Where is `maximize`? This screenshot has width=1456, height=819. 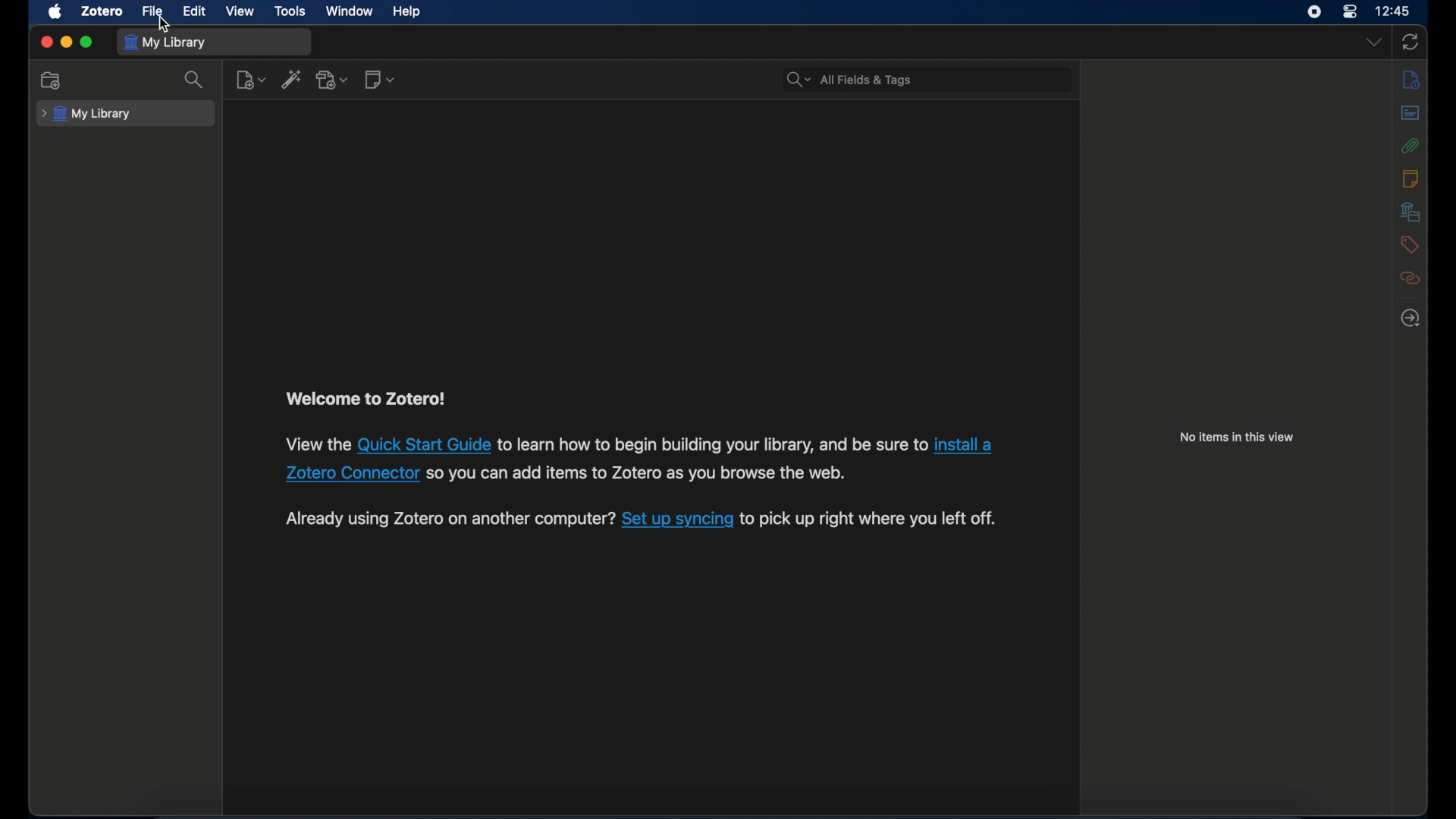
maximize is located at coordinates (86, 42).